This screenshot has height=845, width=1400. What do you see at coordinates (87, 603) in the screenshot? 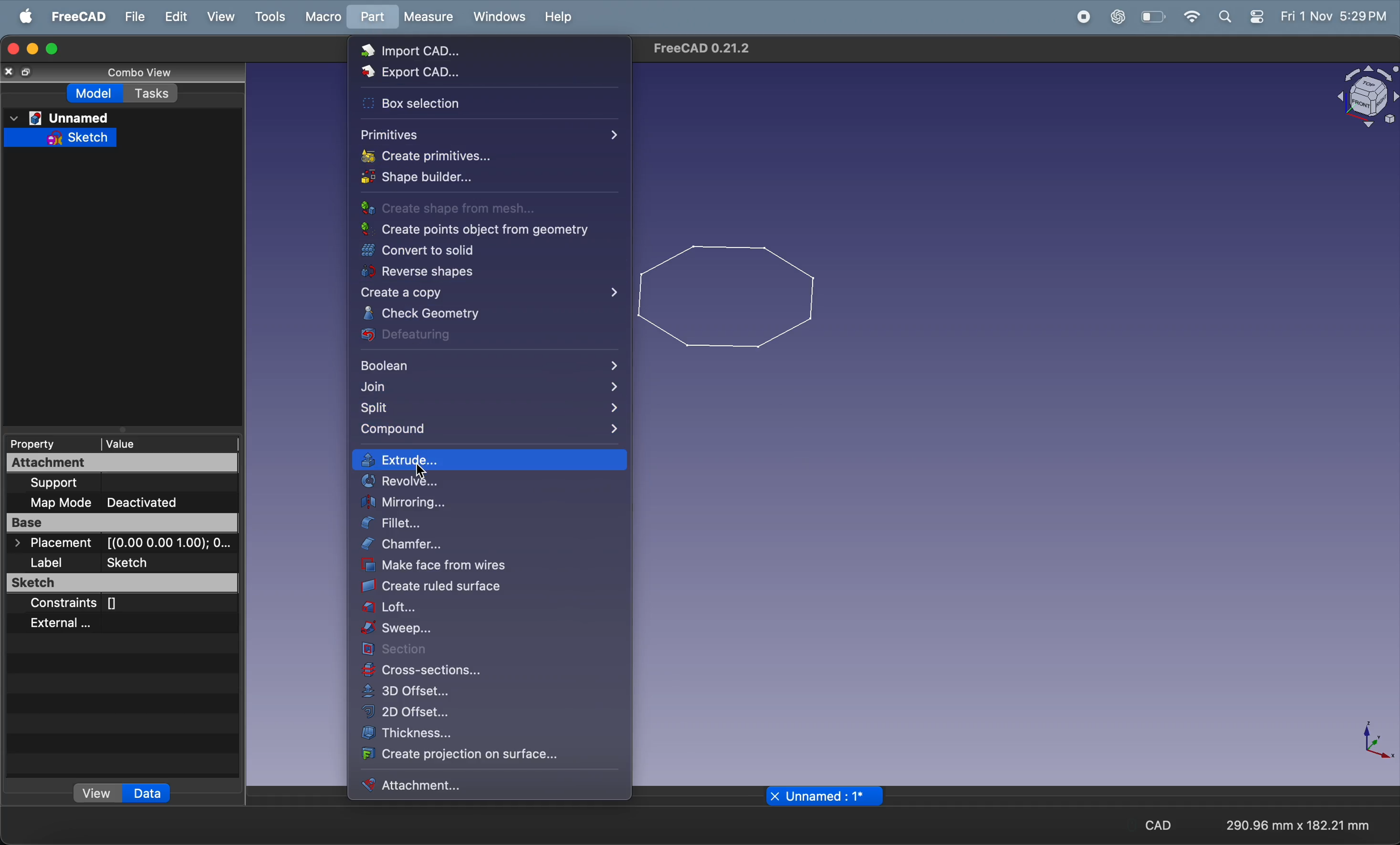
I see `constraints` at bounding box center [87, 603].